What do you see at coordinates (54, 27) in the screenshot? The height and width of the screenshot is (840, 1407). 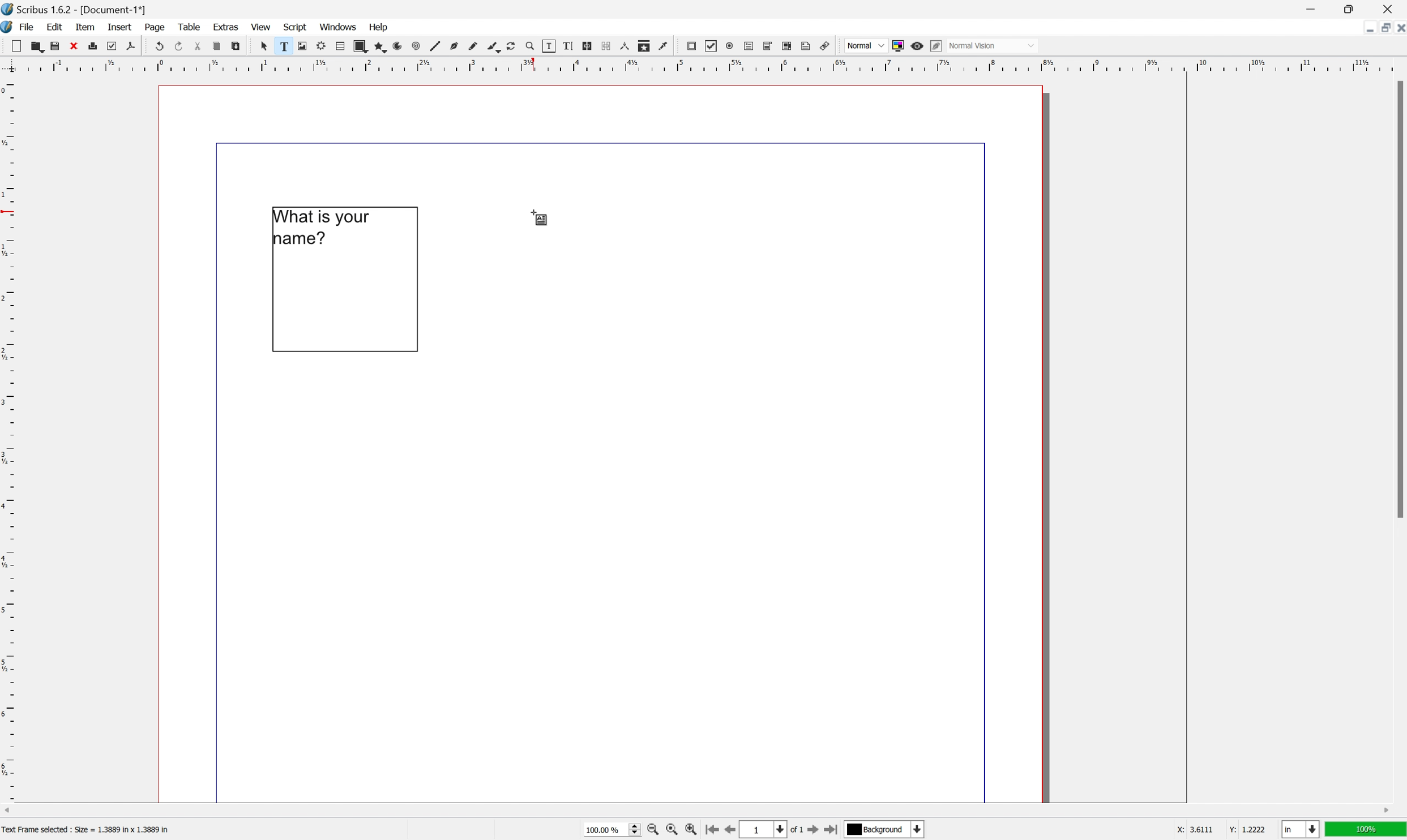 I see `edit` at bounding box center [54, 27].